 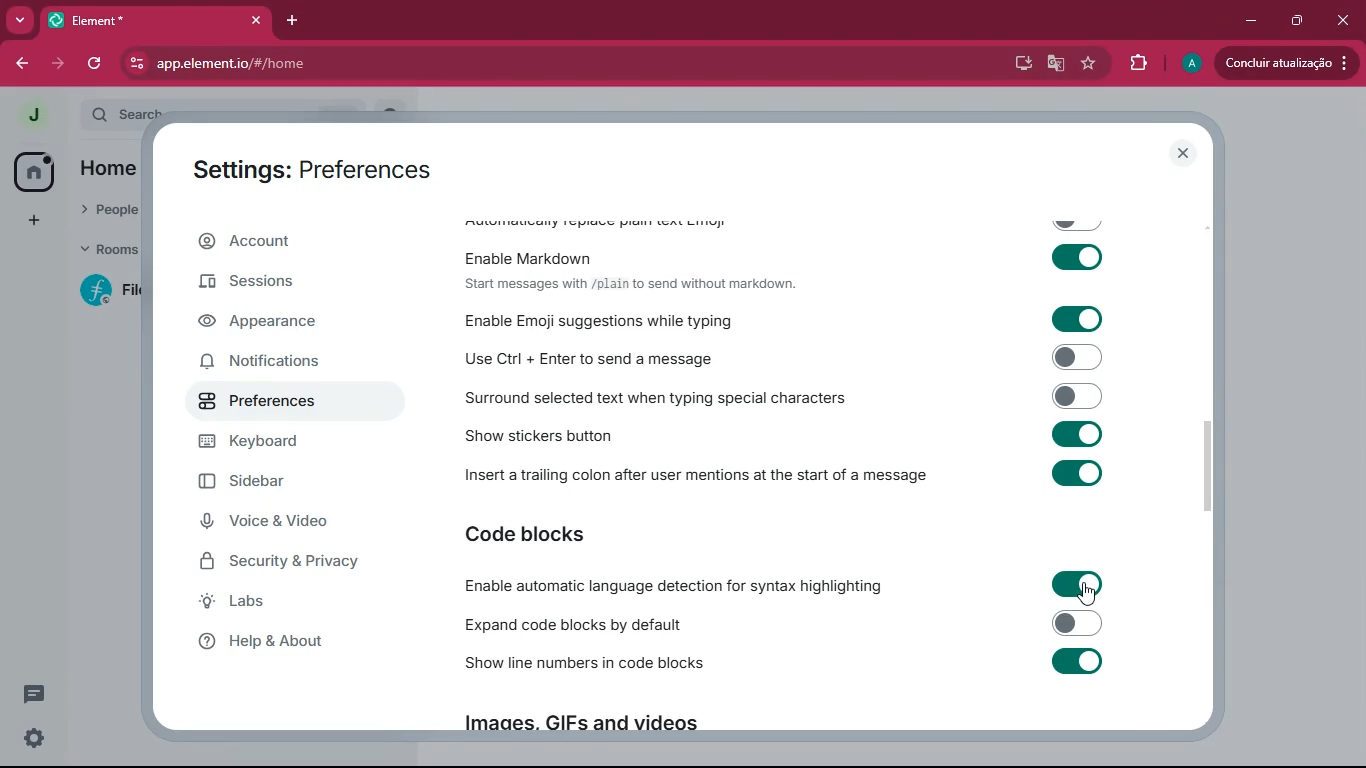 What do you see at coordinates (159, 20) in the screenshot?
I see `element` at bounding box center [159, 20].